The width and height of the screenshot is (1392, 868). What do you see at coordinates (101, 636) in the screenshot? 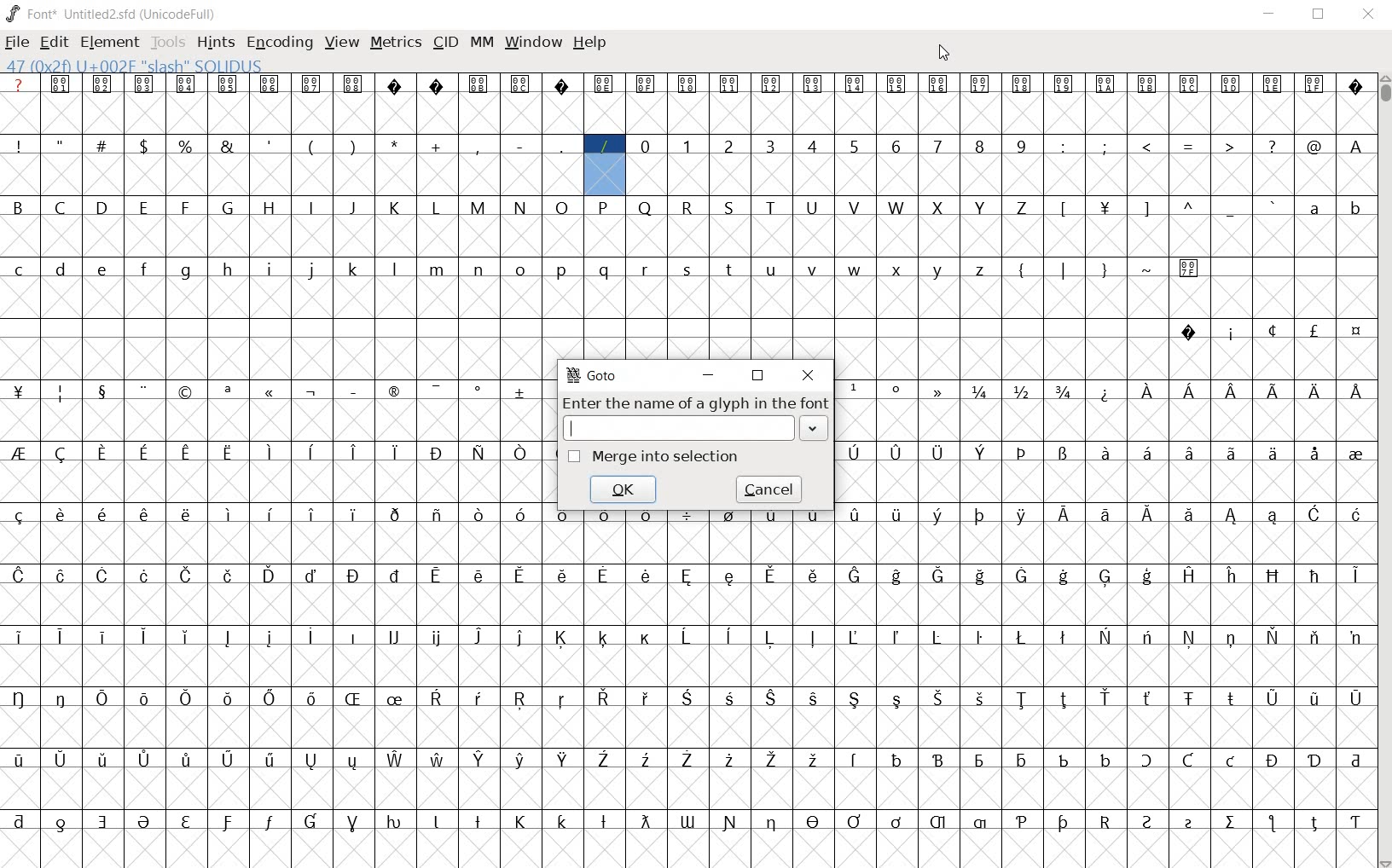
I see `glyph` at bounding box center [101, 636].